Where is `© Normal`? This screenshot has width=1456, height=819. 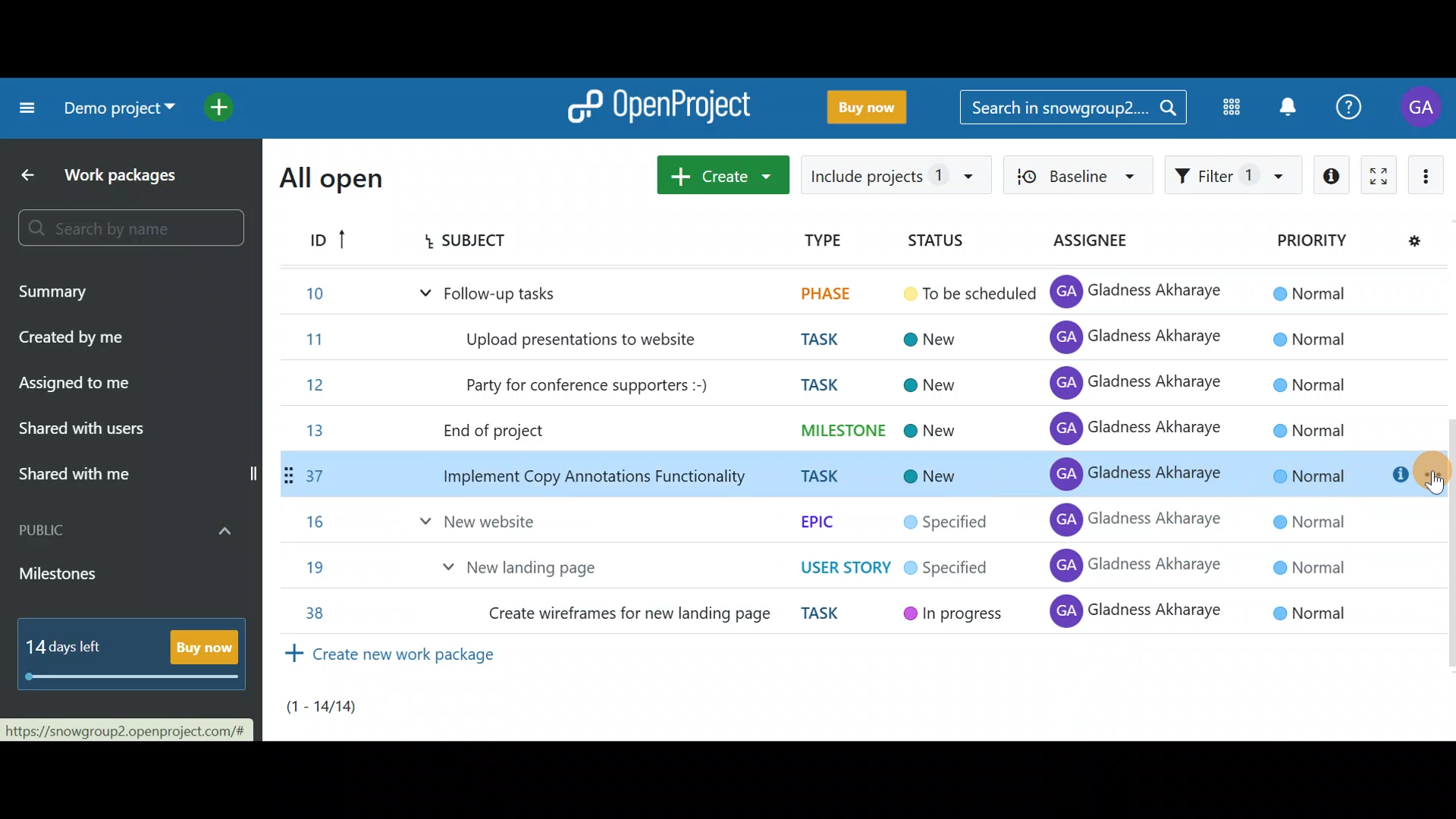
© Normal is located at coordinates (1318, 613).